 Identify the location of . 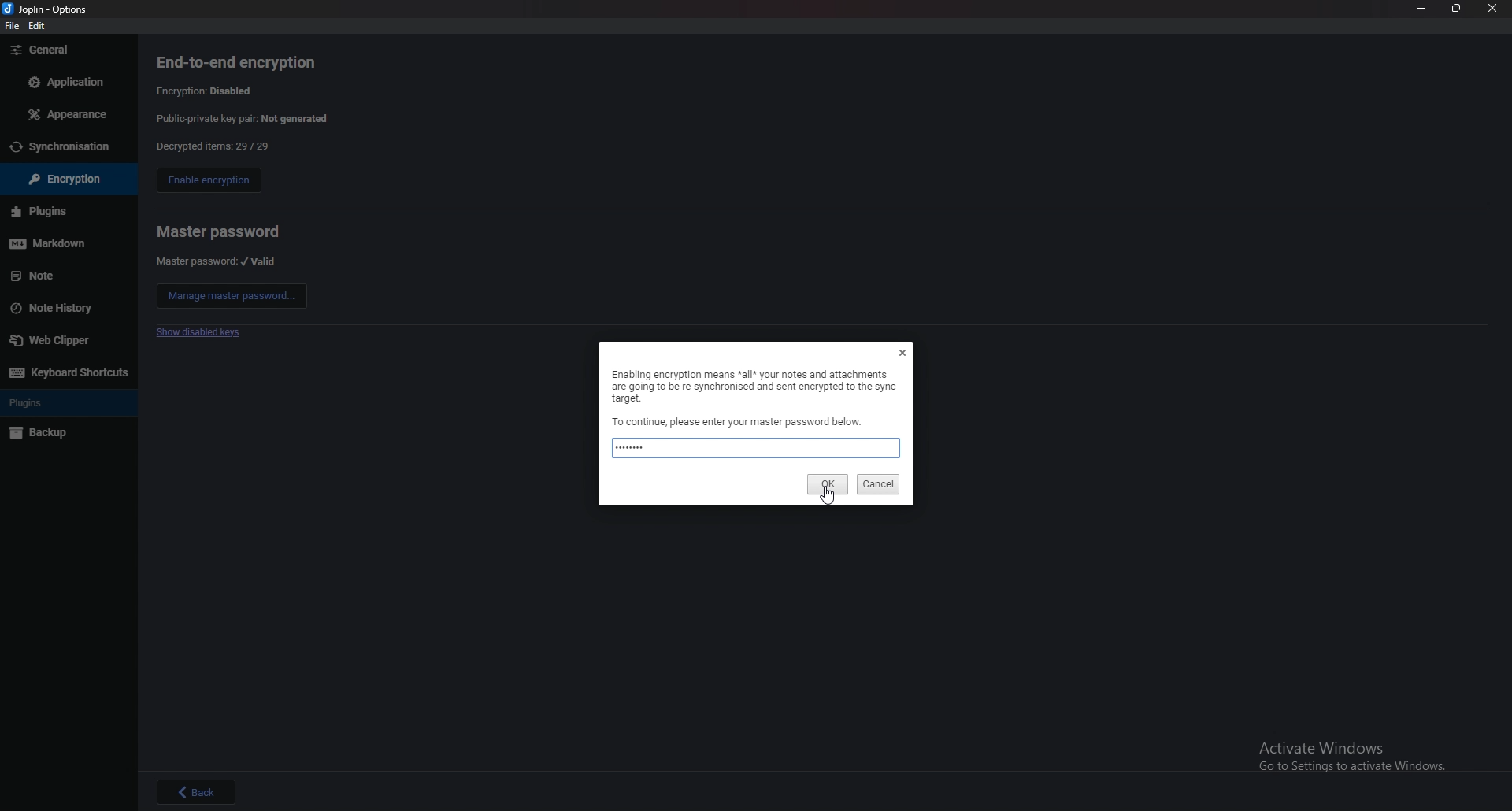
(65, 115).